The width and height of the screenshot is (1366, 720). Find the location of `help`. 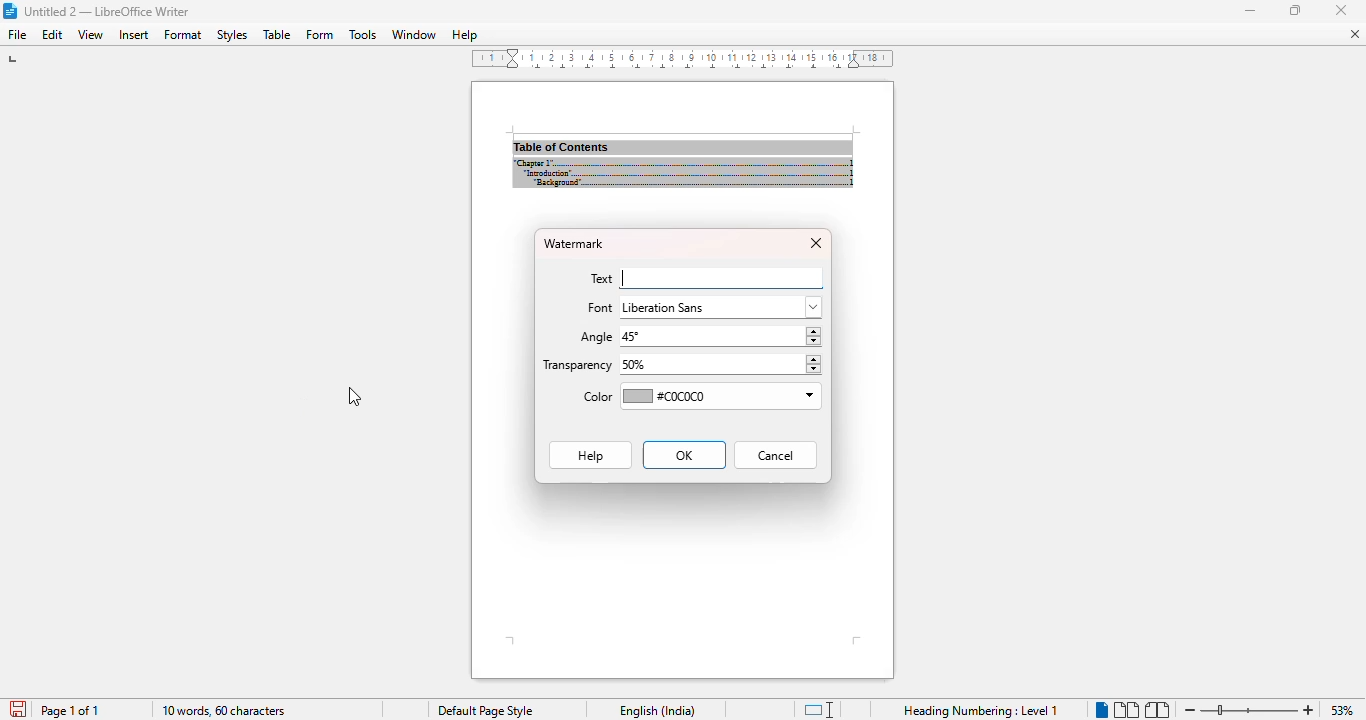

help is located at coordinates (465, 34).